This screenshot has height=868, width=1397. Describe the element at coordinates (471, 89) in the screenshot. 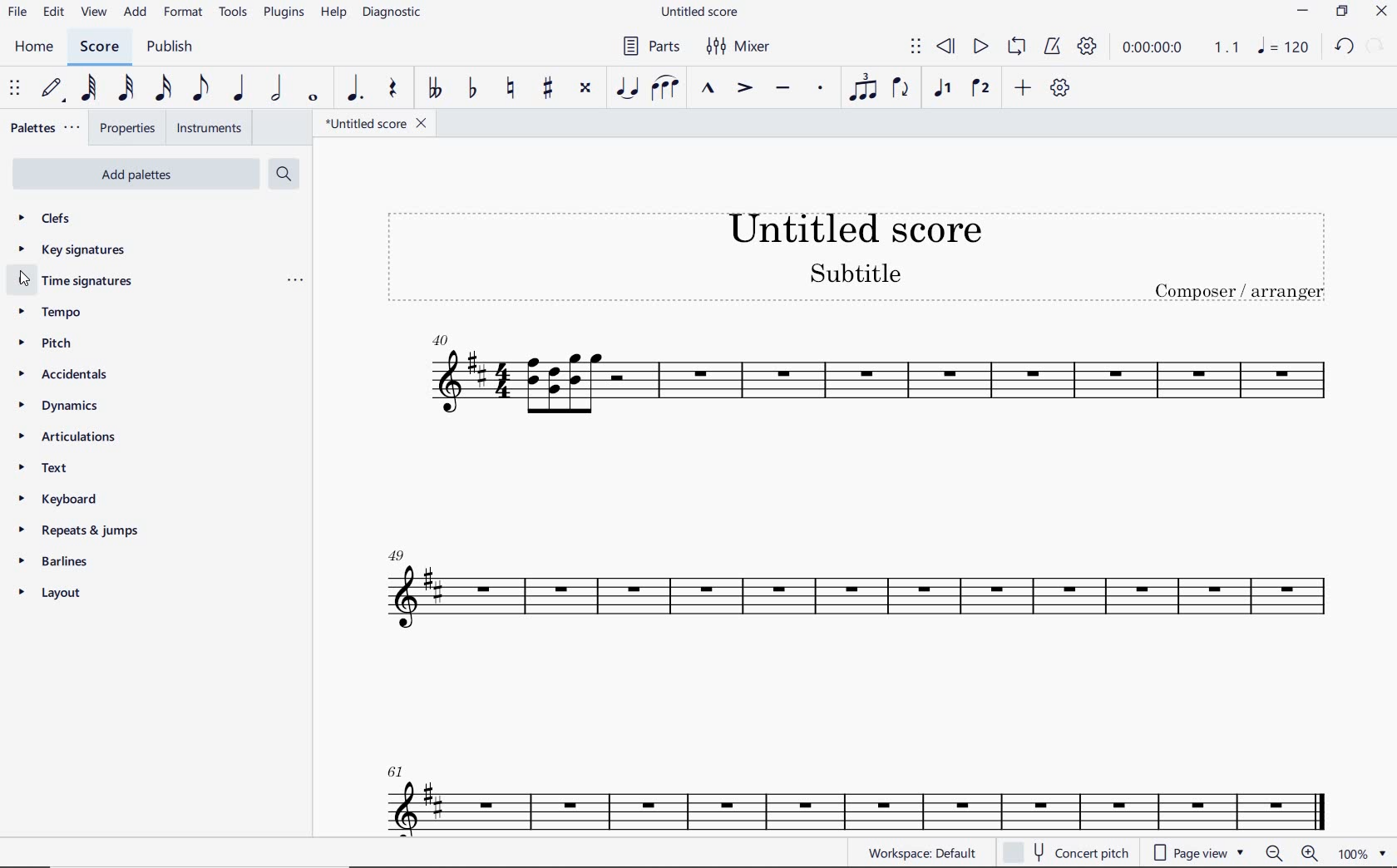

I see `TOGGLE FLAT` at that location.